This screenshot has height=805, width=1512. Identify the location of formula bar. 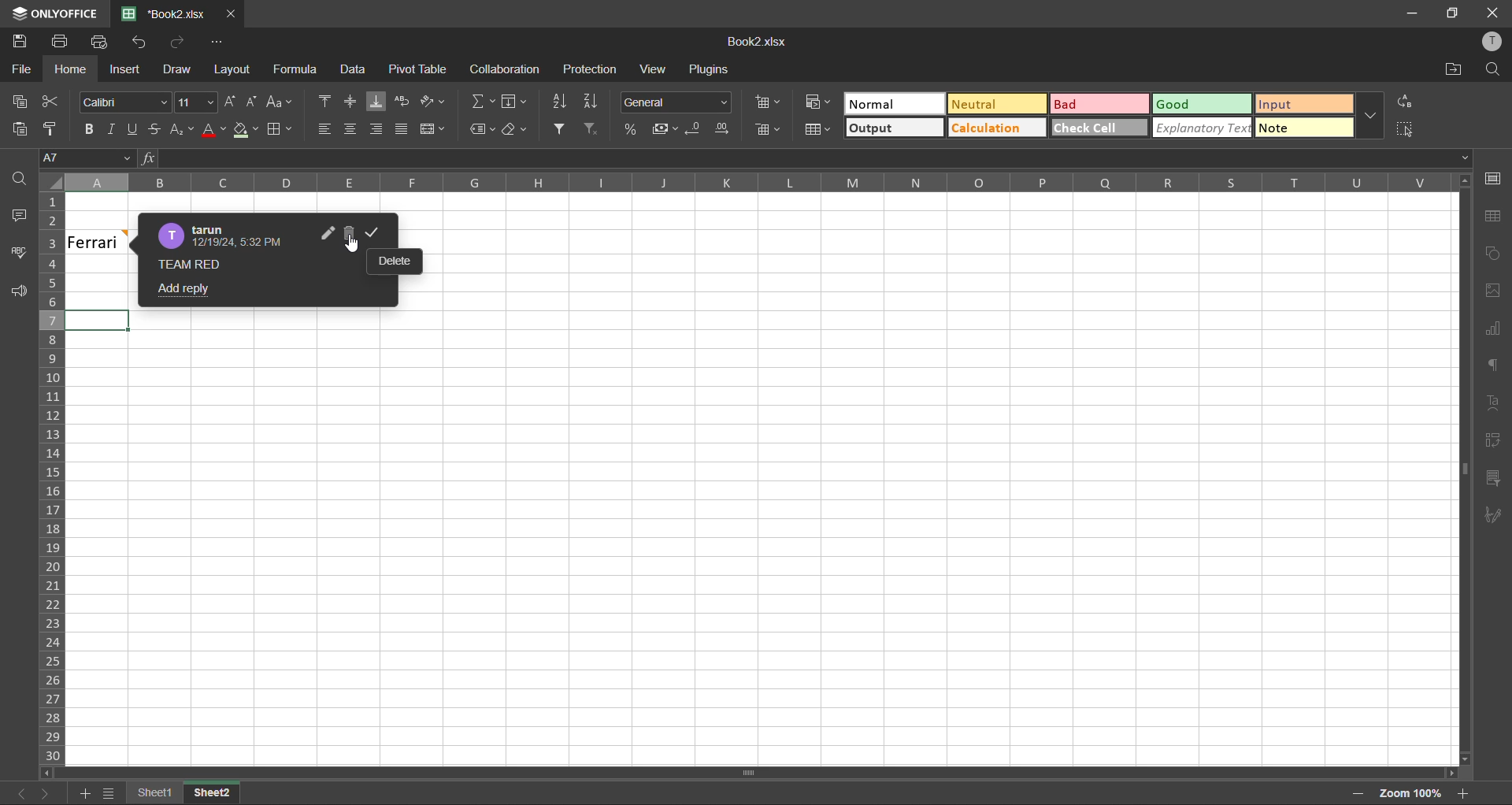
(804, 158).